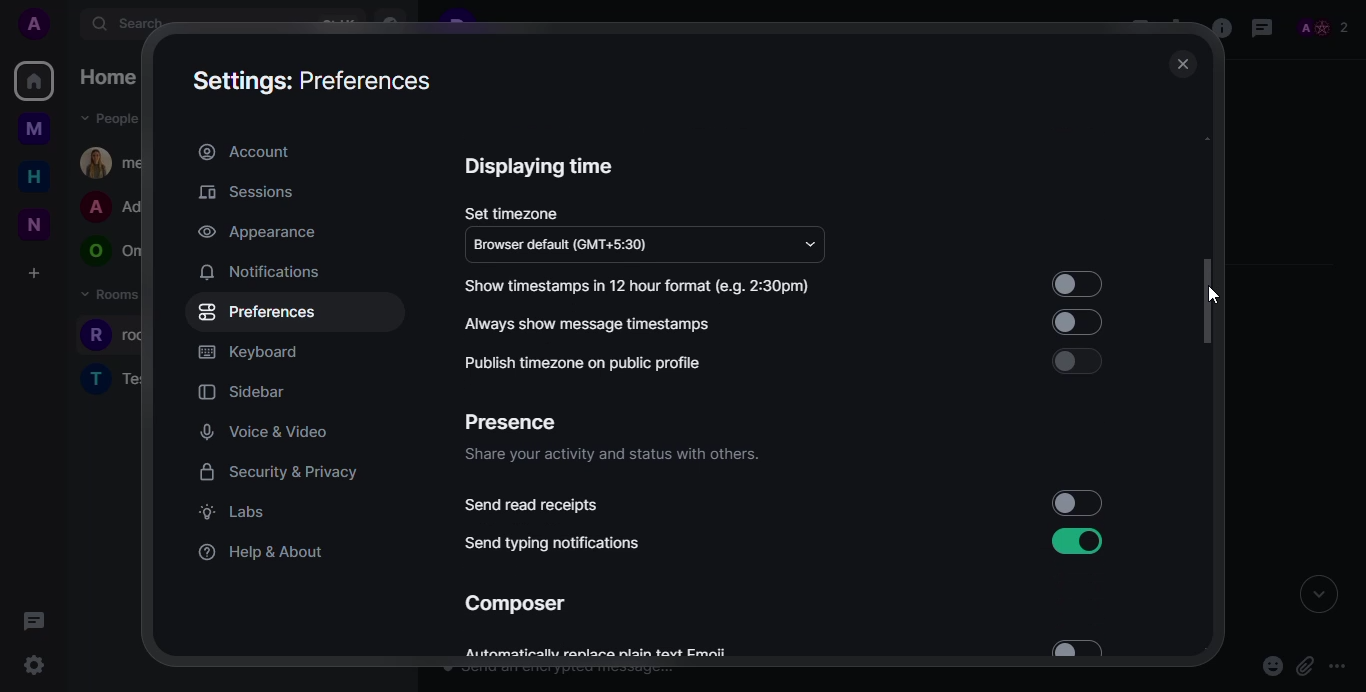 This screenshot has height=692, width=1366. I want to click on sidebar, so click(246, 391).